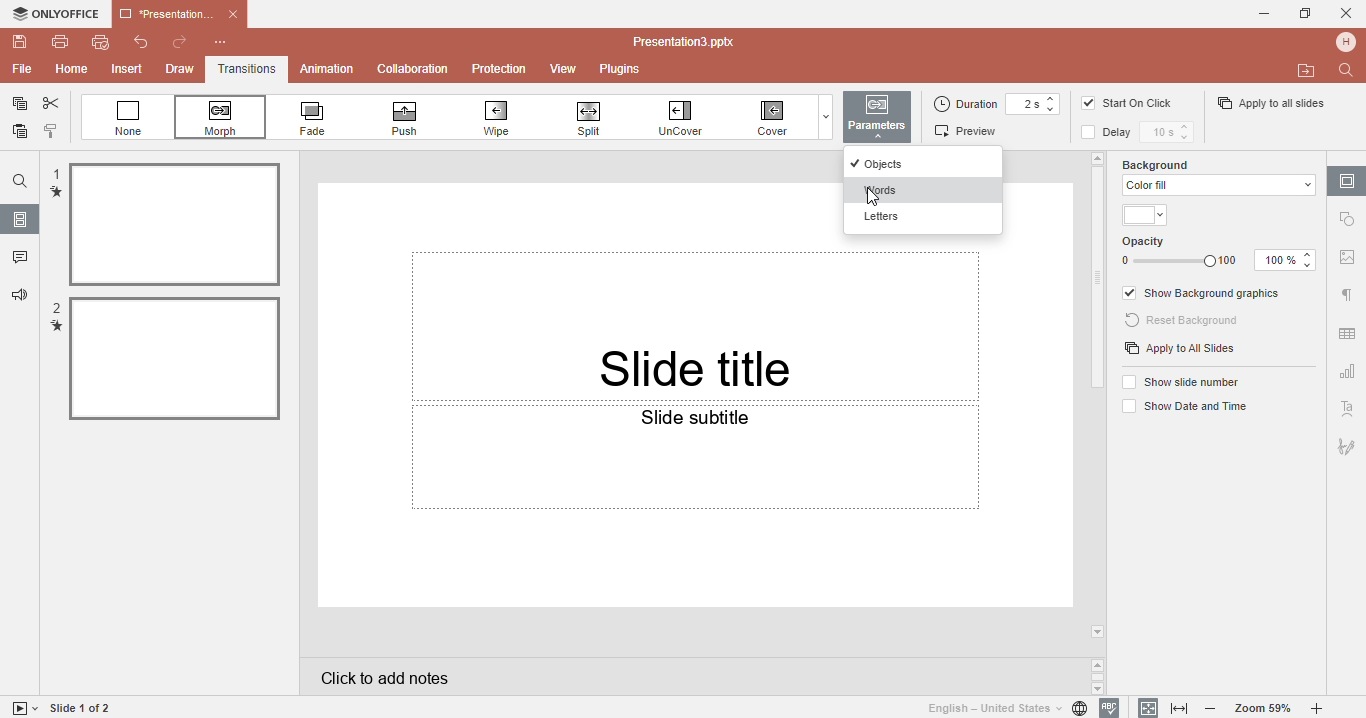 This screenshot has height=718, width=1366. Describe the element at coordinates (971, 131) in the screenshot. I see `Preview` at that location.